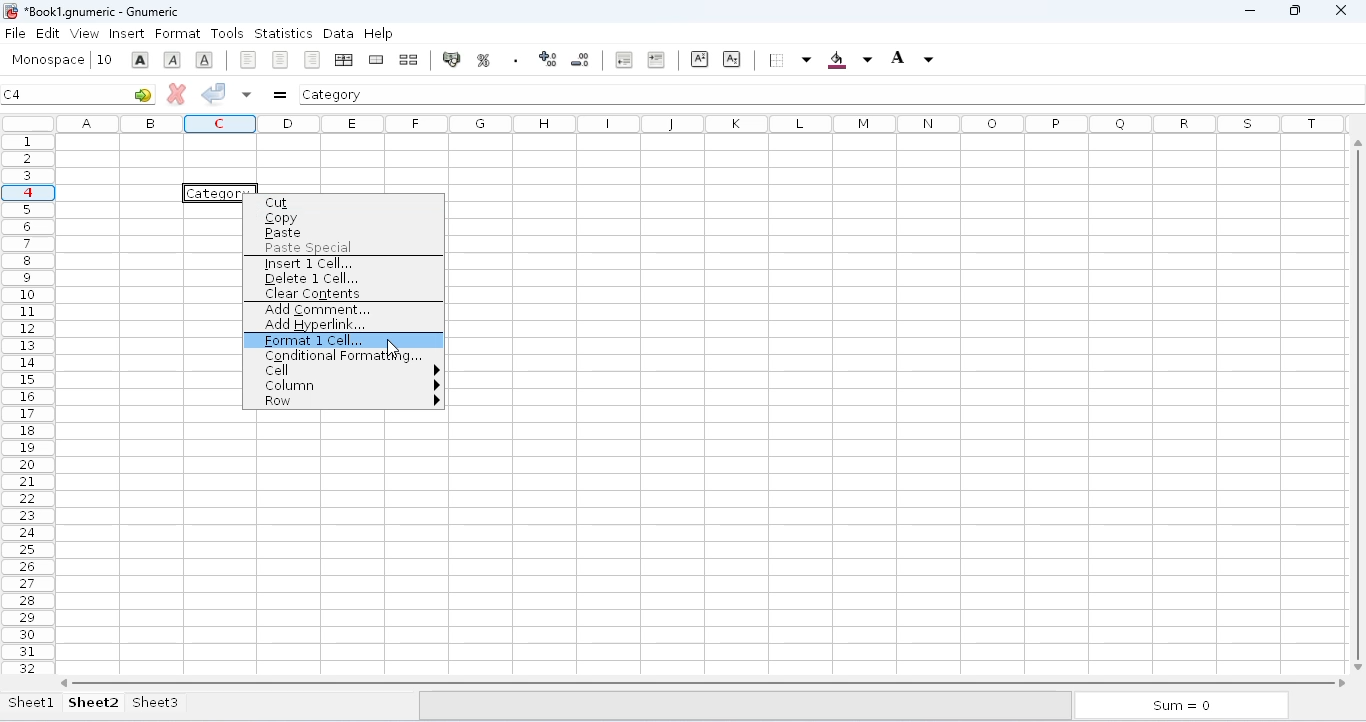 The width and height of the screenshot is (1366, 722). What do you see at coordinates (343, 60) in the screenshot?
I see `center horizontally across the selection` at bounding box center [343, 60].